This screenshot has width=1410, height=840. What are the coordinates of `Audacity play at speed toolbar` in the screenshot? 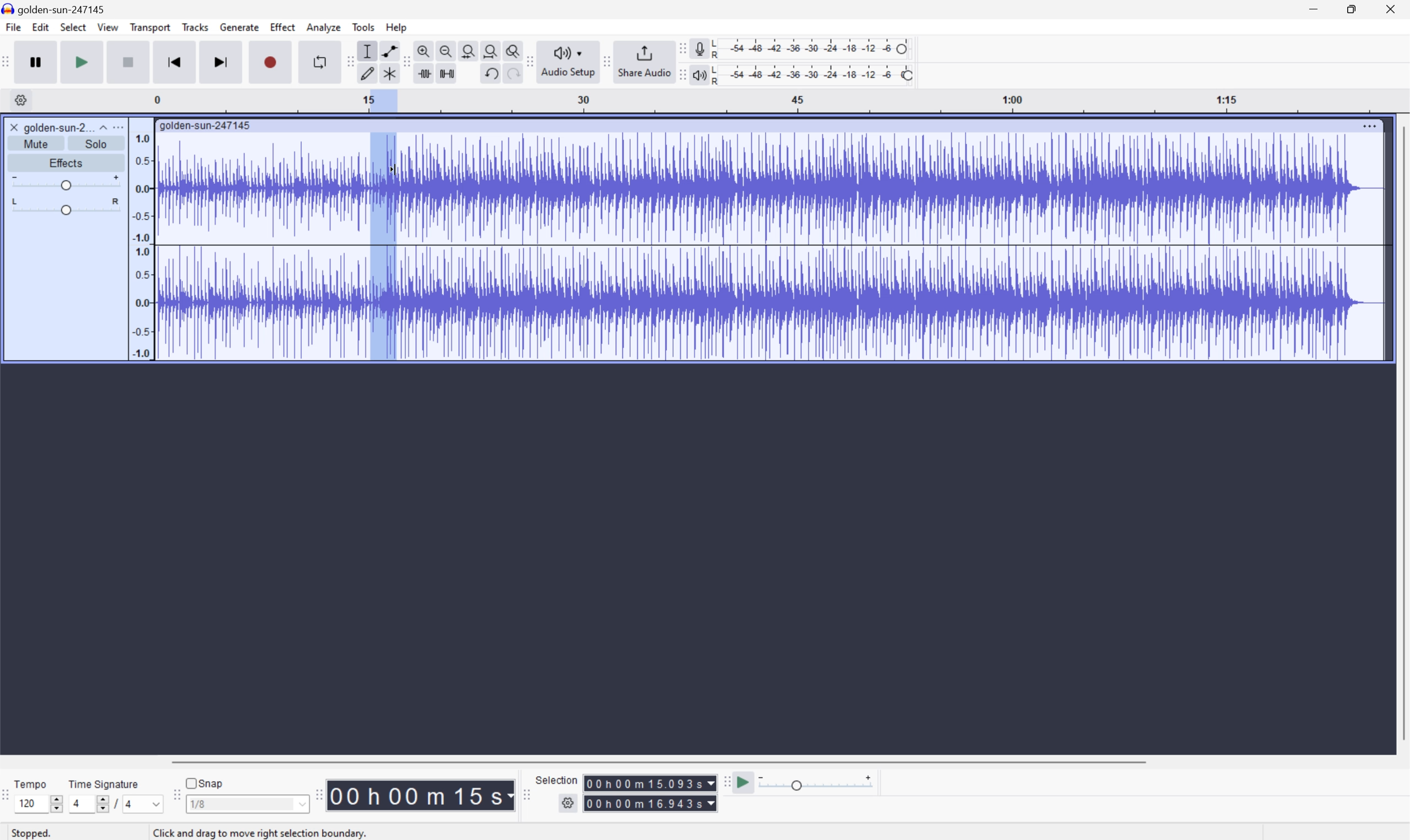 It's located at (725, 782).